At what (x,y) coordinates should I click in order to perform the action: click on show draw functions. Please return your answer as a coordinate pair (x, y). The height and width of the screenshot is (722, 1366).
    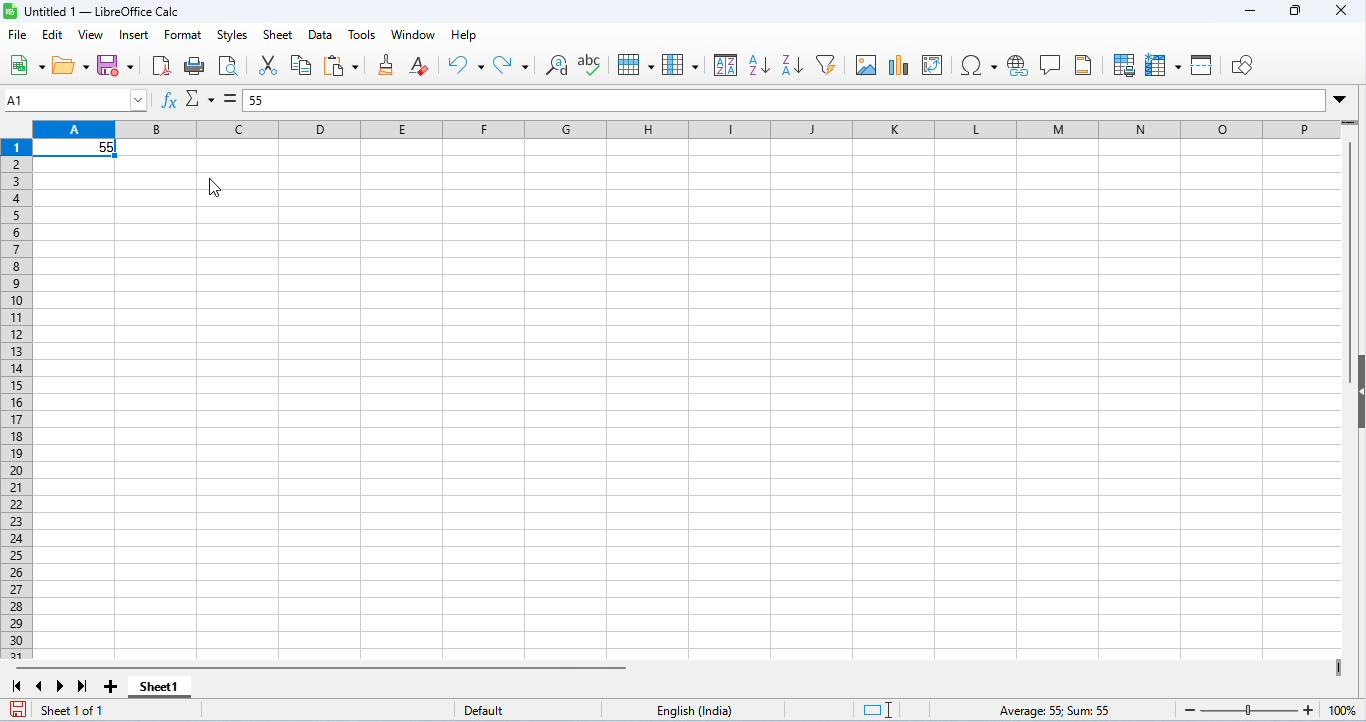
    Looking at the image, I should click on (1242, 65).